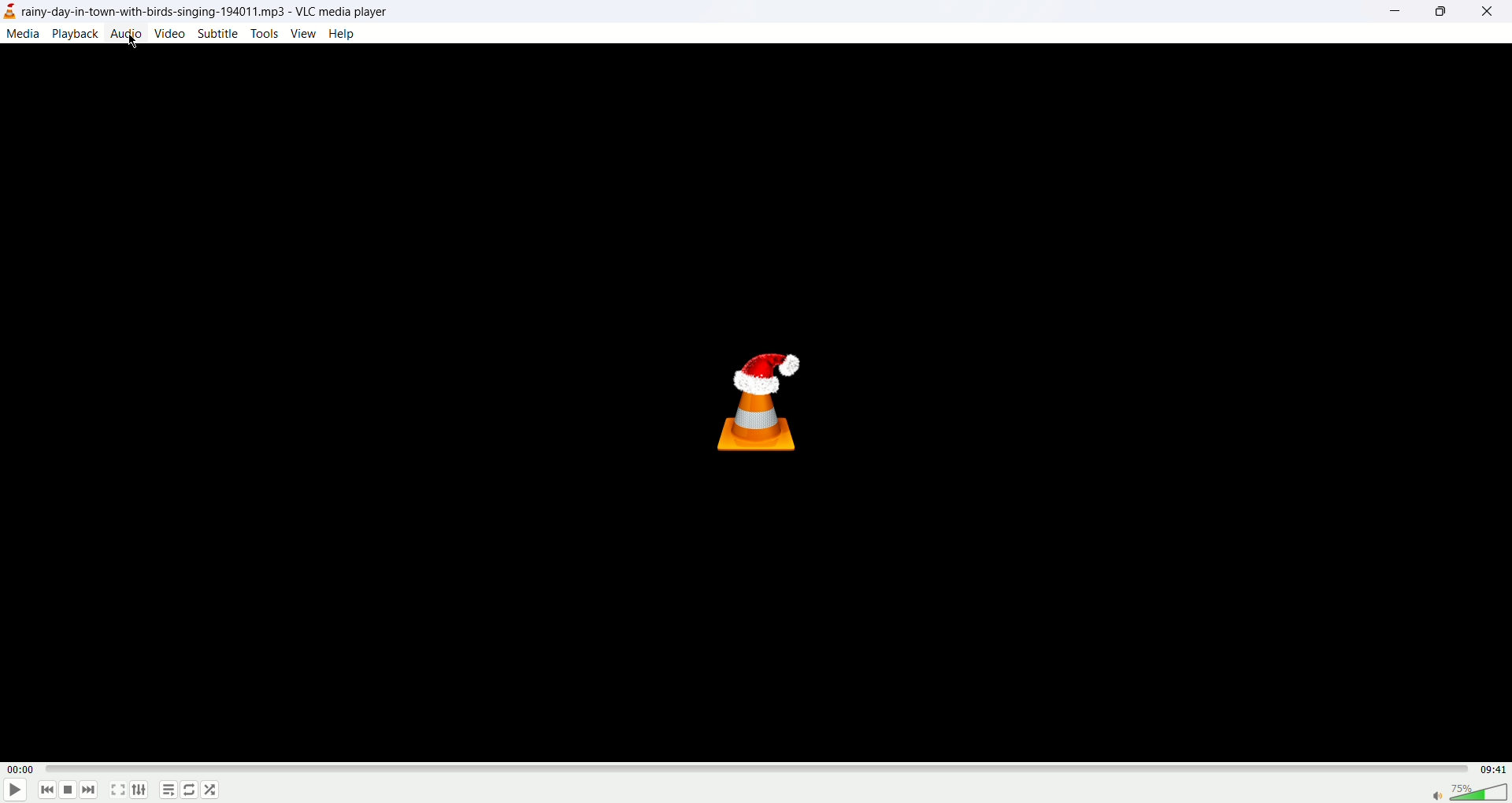  Describe the element at coordinates (24, 35) in the screenshot. I see `media` at that location.